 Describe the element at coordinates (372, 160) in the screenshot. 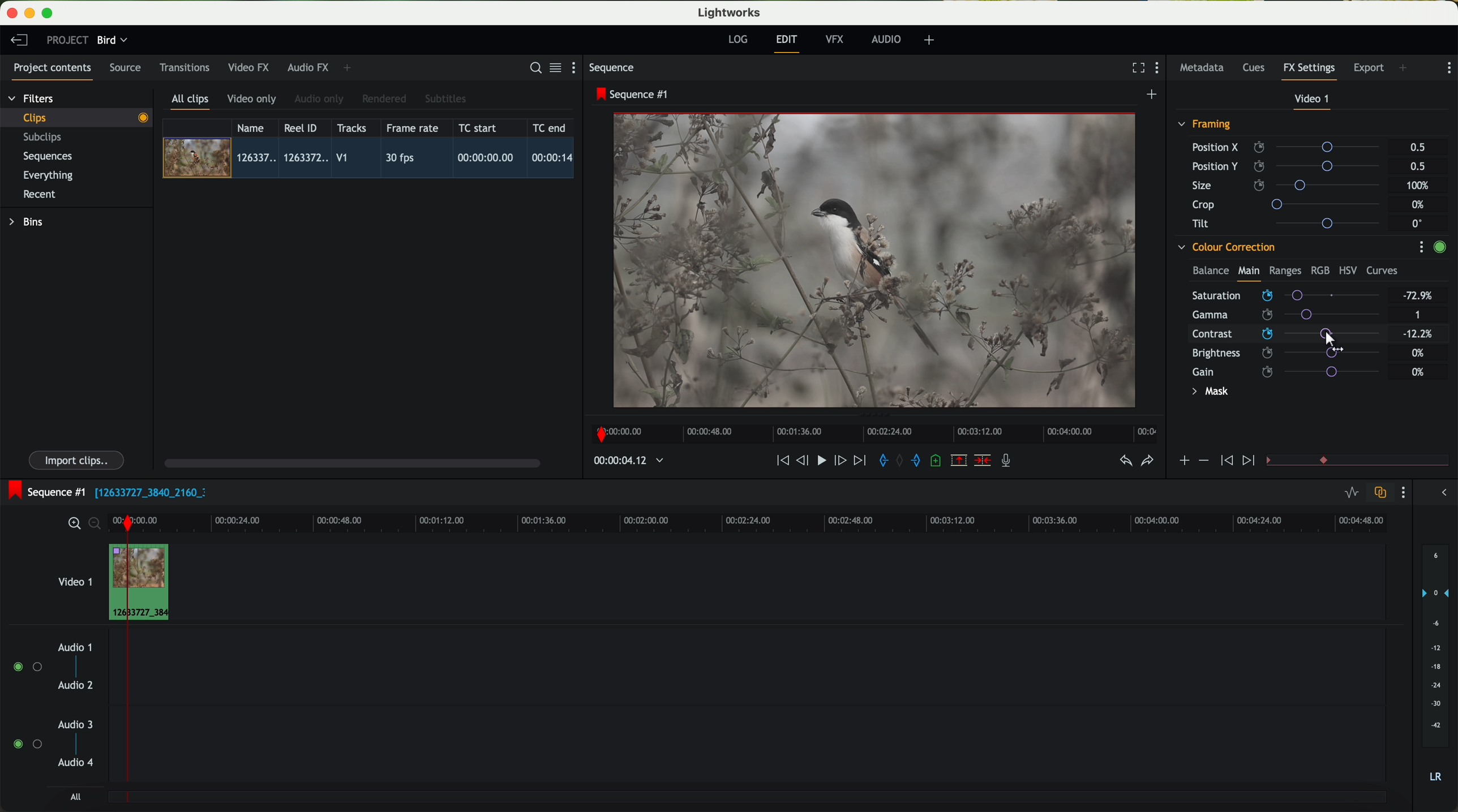

I see `click on video` at that location.